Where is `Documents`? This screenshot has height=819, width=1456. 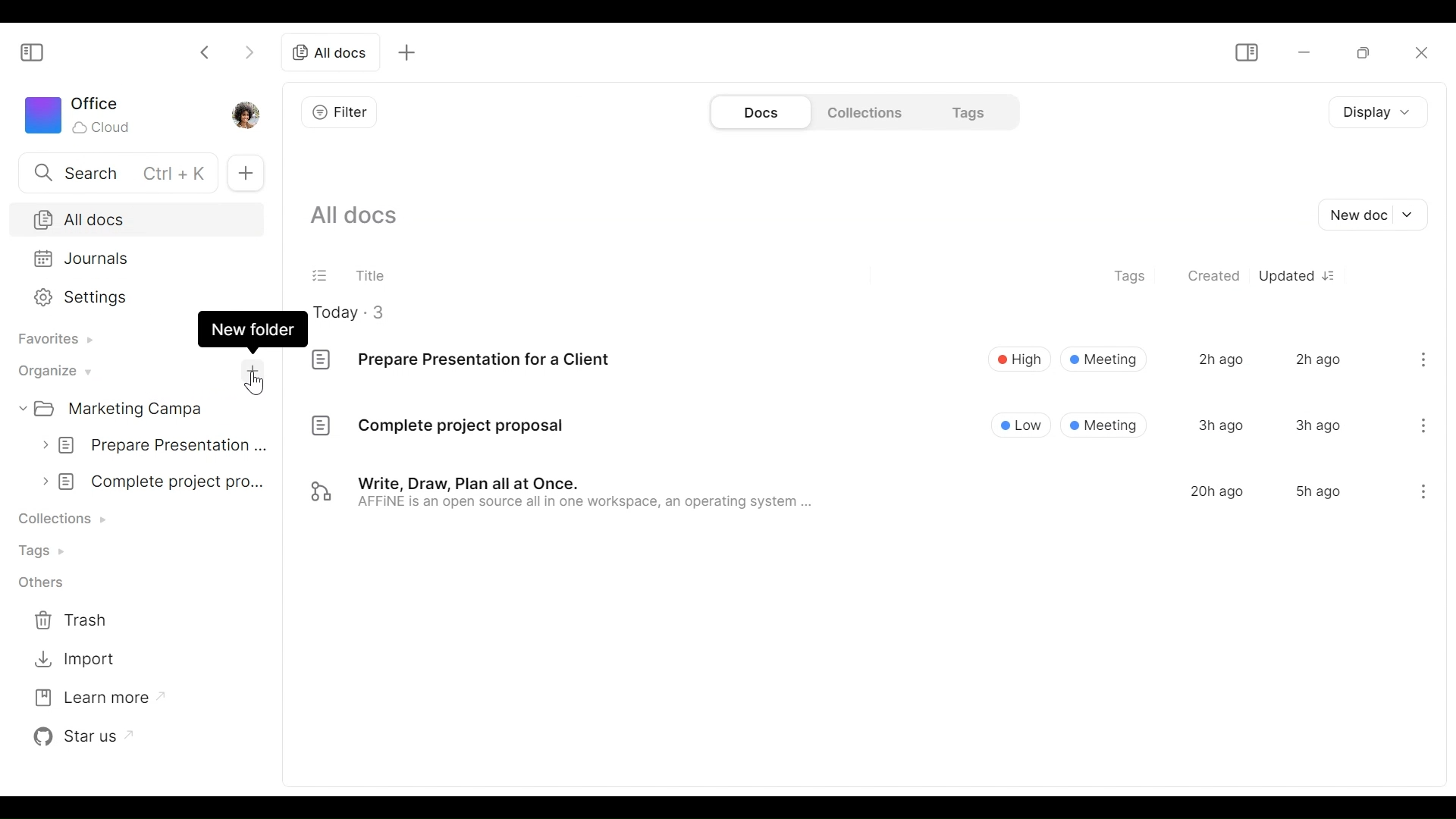 Documents is located at coordinates (759, 112).